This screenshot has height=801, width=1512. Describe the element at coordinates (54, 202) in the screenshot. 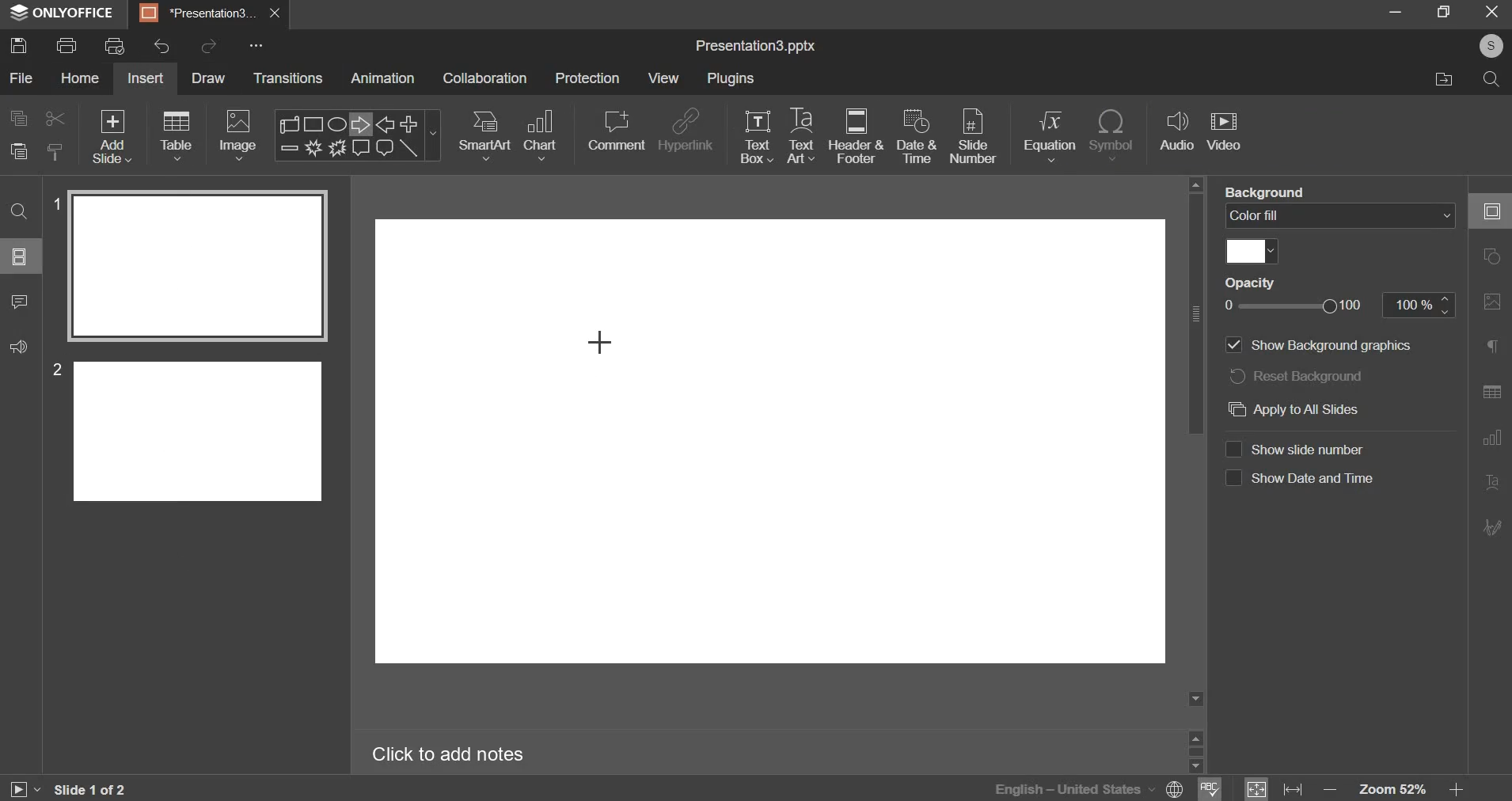

I see `slide number` at that location.